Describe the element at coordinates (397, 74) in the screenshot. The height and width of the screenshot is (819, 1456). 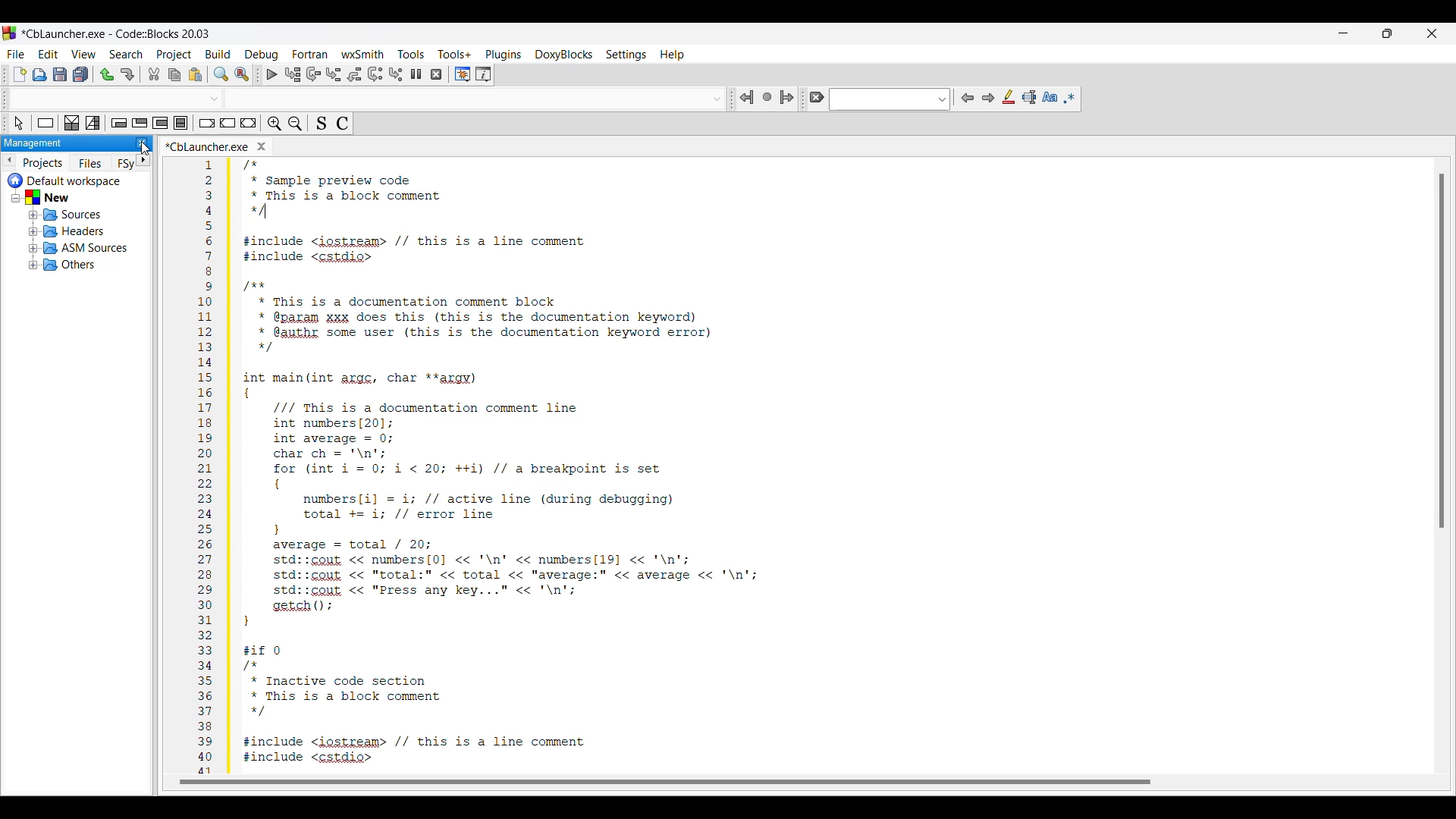
I see `Step into instruction` at that location.